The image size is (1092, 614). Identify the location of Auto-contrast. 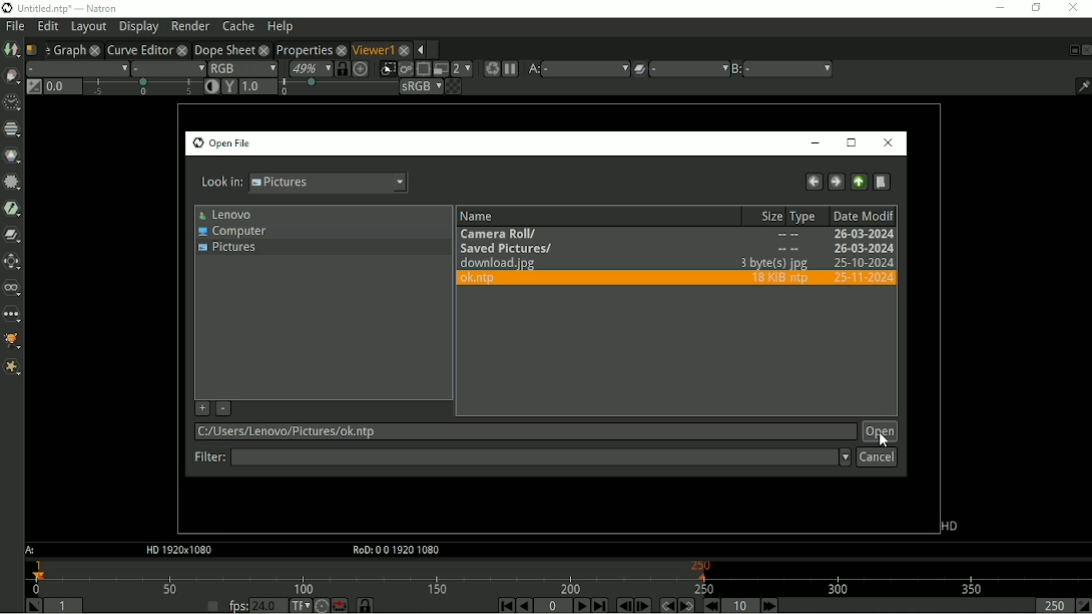
(212, 87).